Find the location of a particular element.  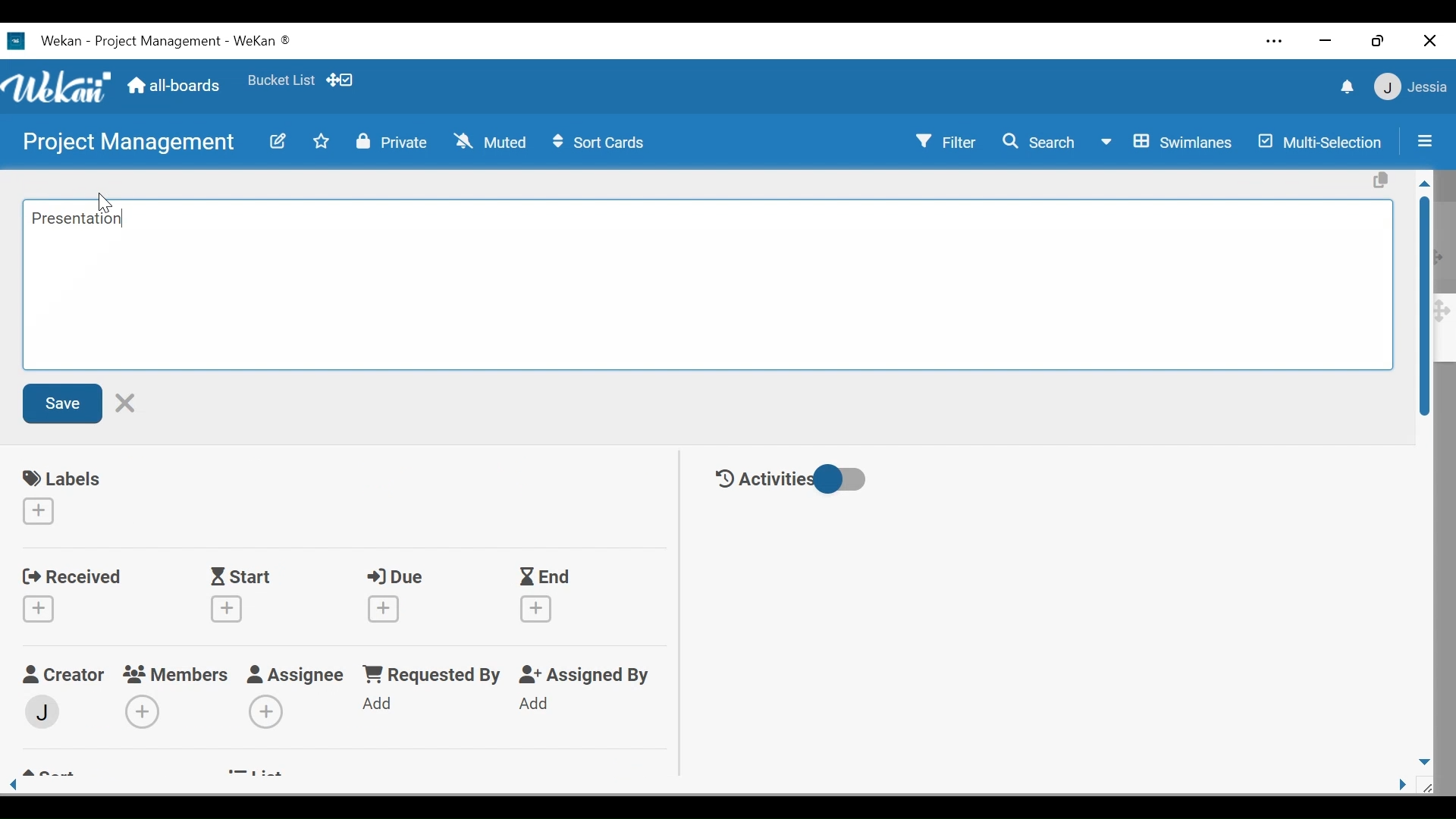

Scroll up is located at coordinates (1423, 184).